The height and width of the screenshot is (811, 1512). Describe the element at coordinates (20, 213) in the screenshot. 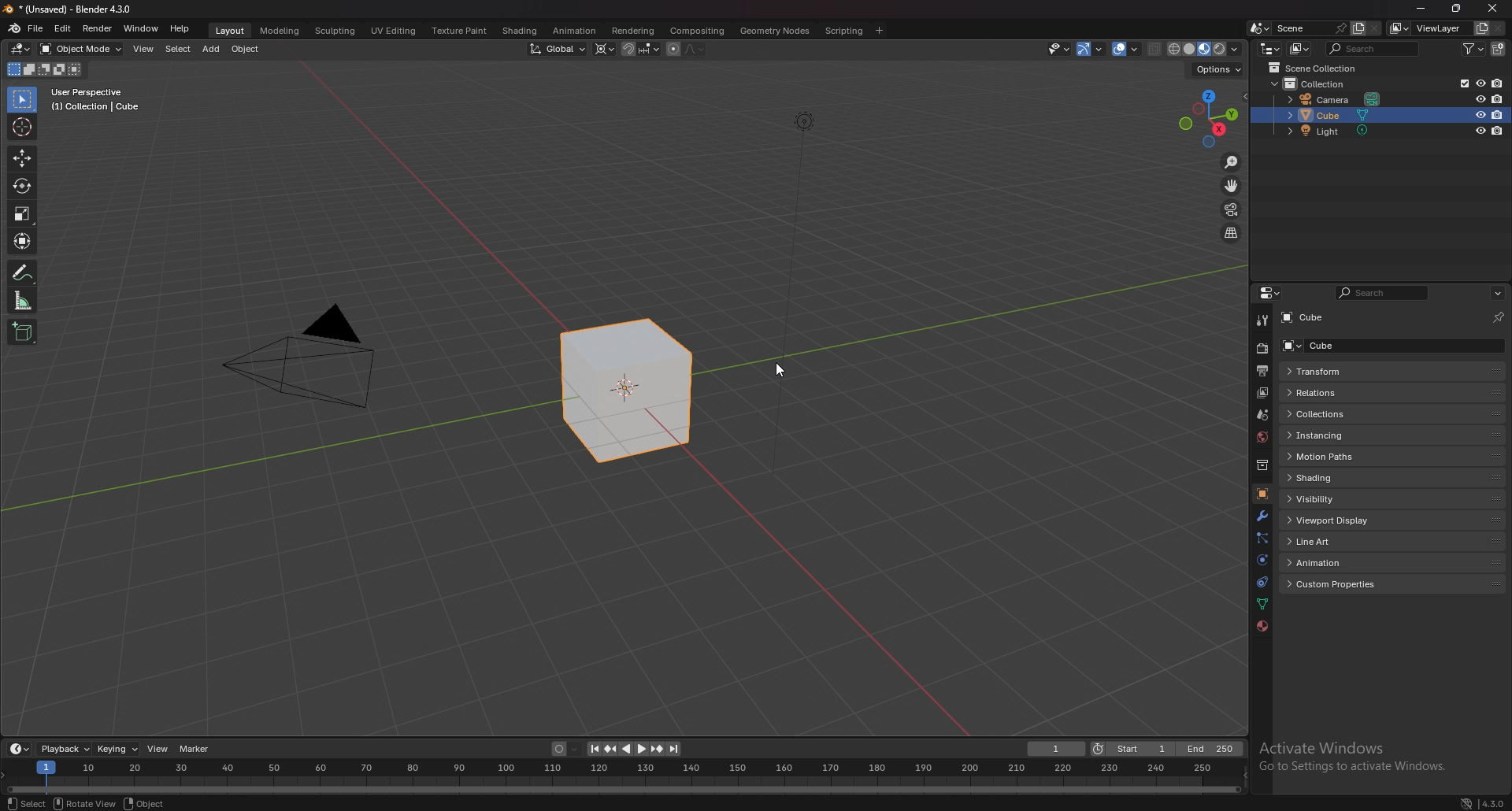

I see `scale` at that location.